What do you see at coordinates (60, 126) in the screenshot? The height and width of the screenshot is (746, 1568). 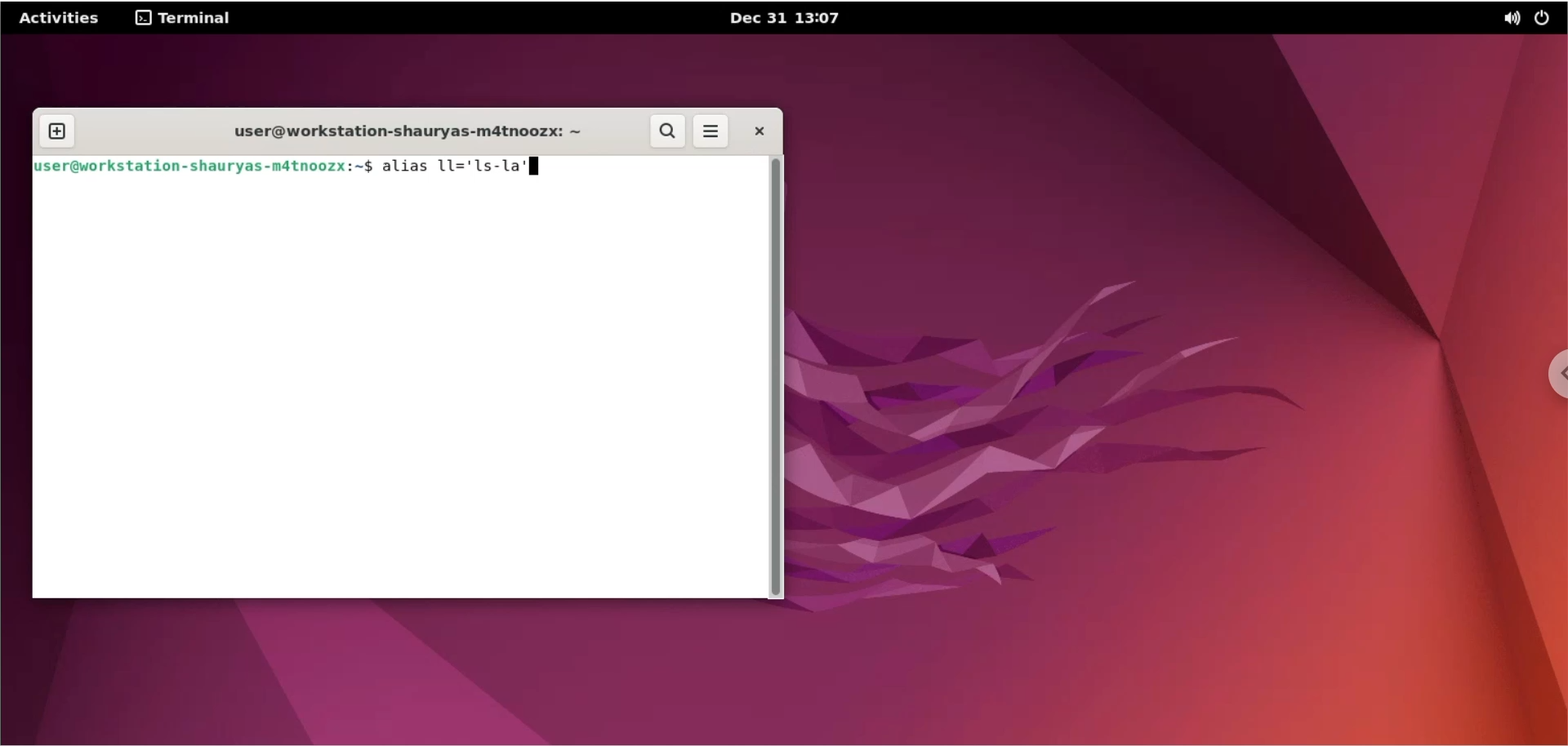 I see `new tab` at bounding box center [60, 126].